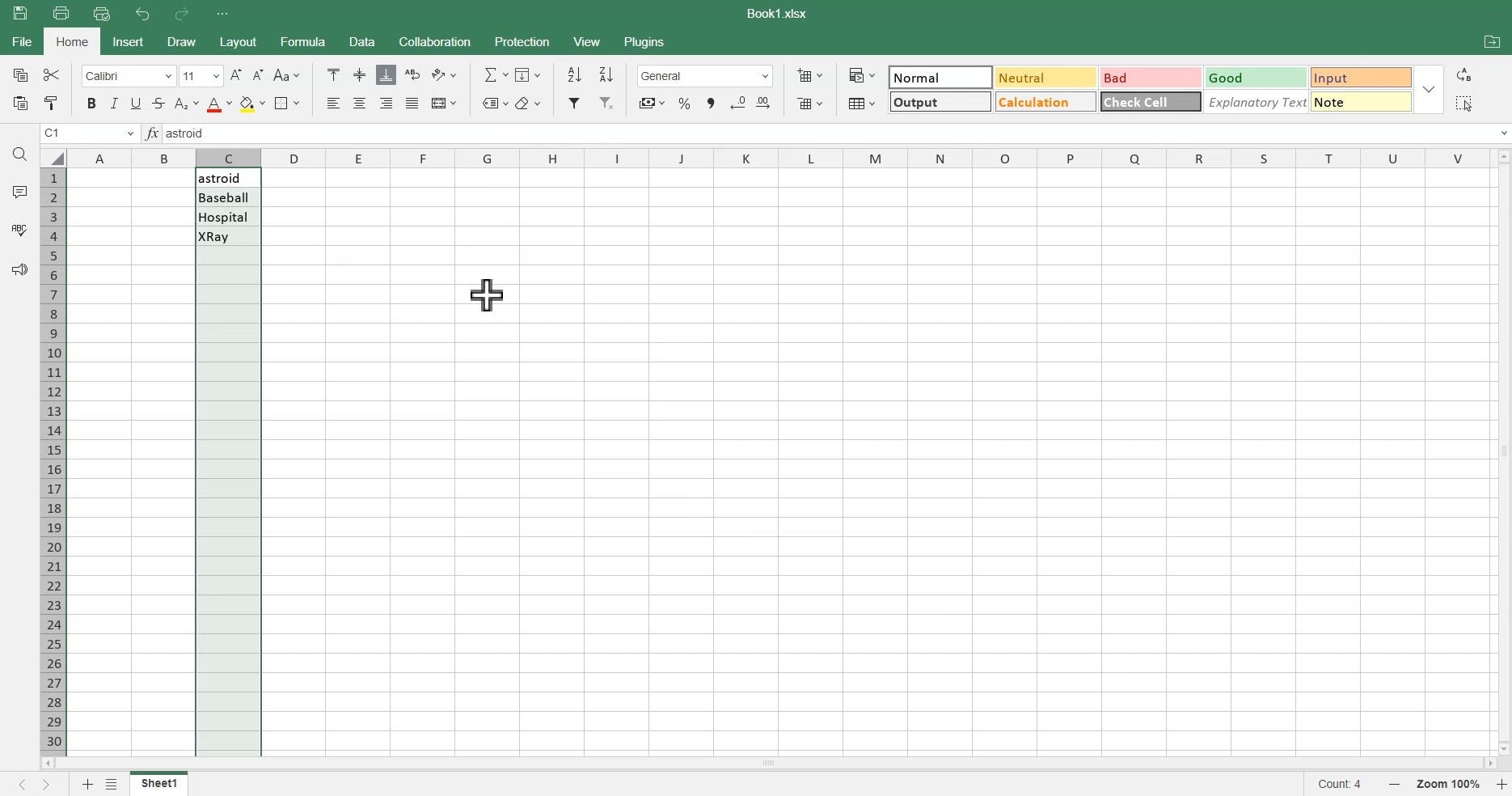  What do you see at coordinates (186, 103) in the screenshot?
I see `Subscript` at bounding box center [186, 103].